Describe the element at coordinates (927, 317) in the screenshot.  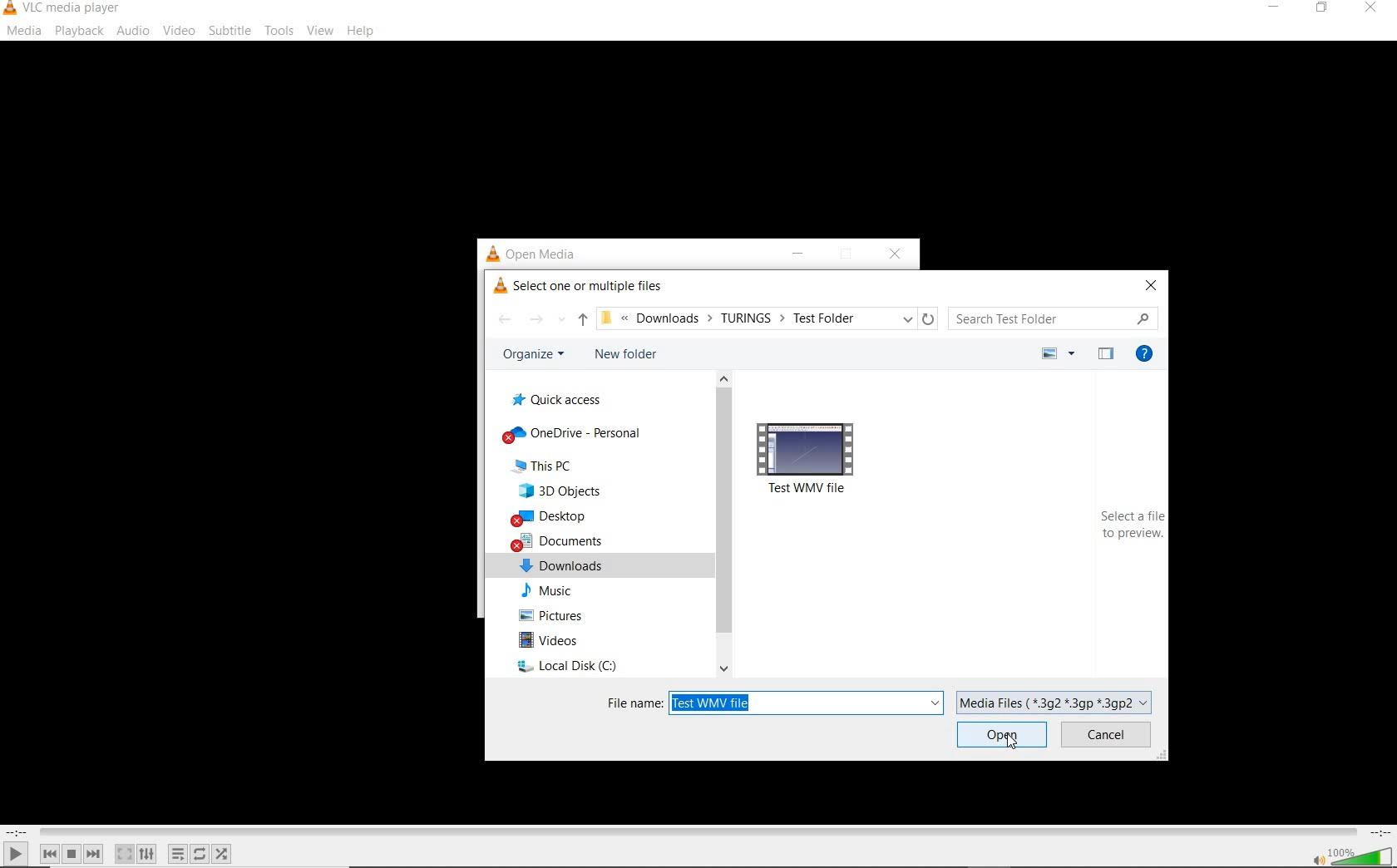
I see `refresh "downloads"` at that location.